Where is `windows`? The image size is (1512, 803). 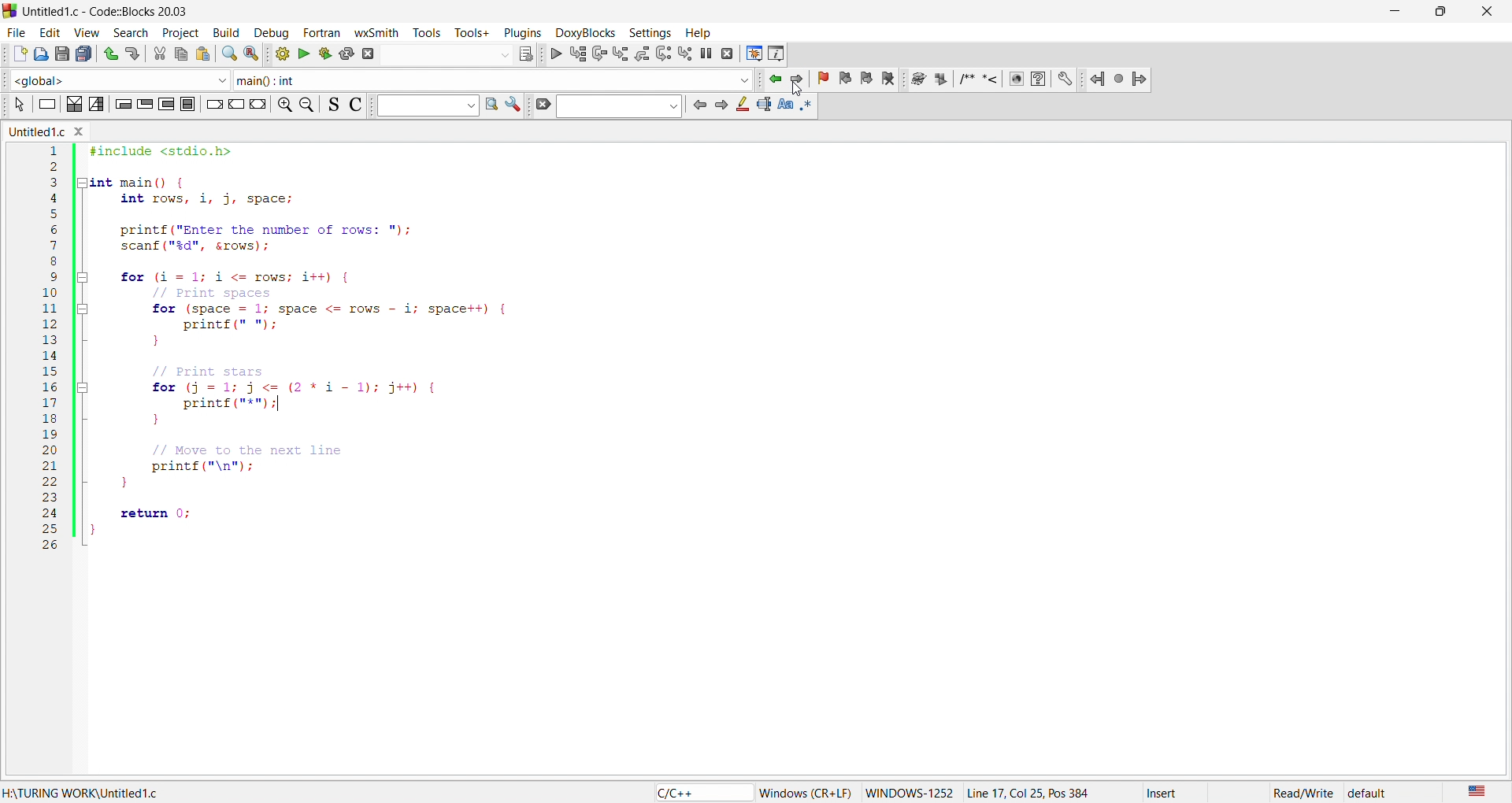
windows is located at coordinates (913, 790).